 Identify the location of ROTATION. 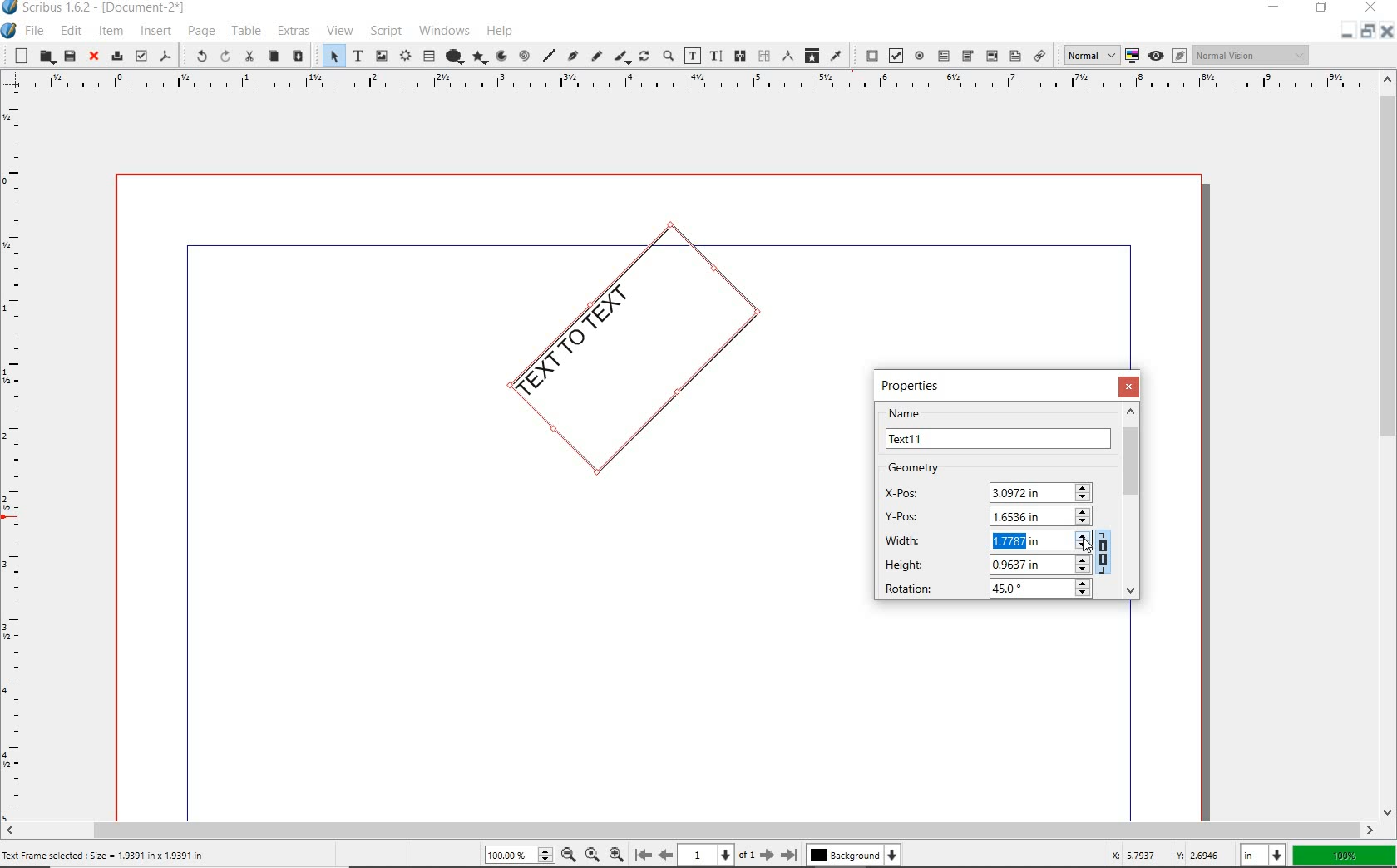
(984, 590).